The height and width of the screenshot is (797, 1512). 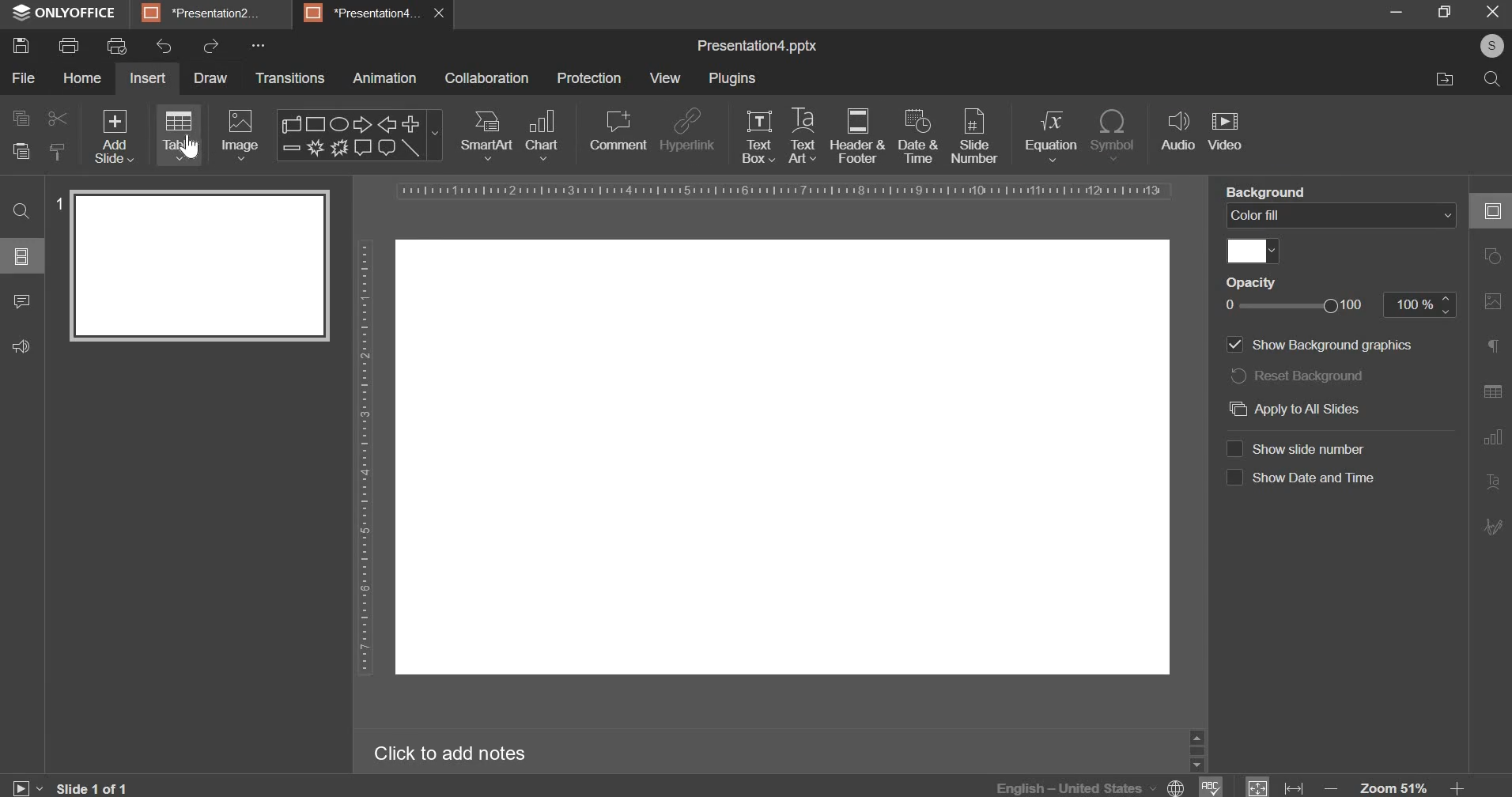 I want to click on image, so click(x=239, y=136).